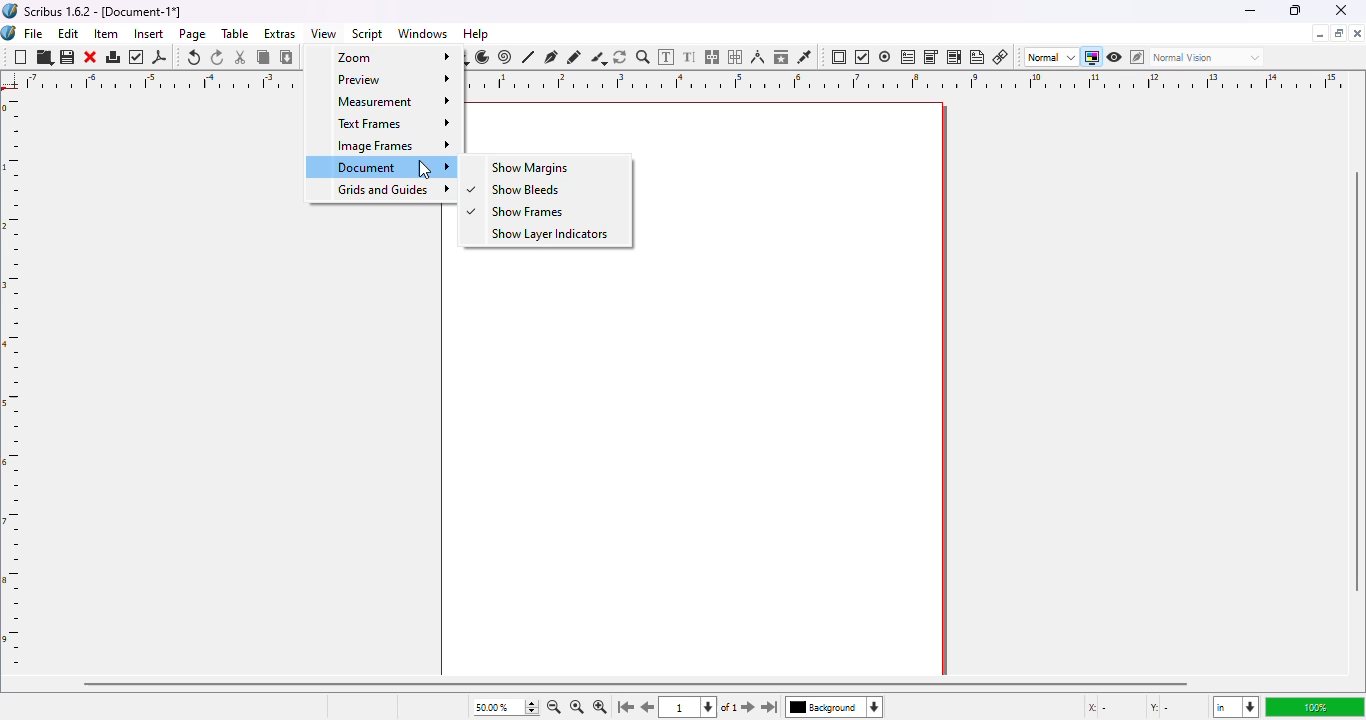 The height and width of the screenshot is (720, 1366). What do you see at coordinates (423, 34) in the screenshot?
I see `windows` at bounding box center [423, 34].